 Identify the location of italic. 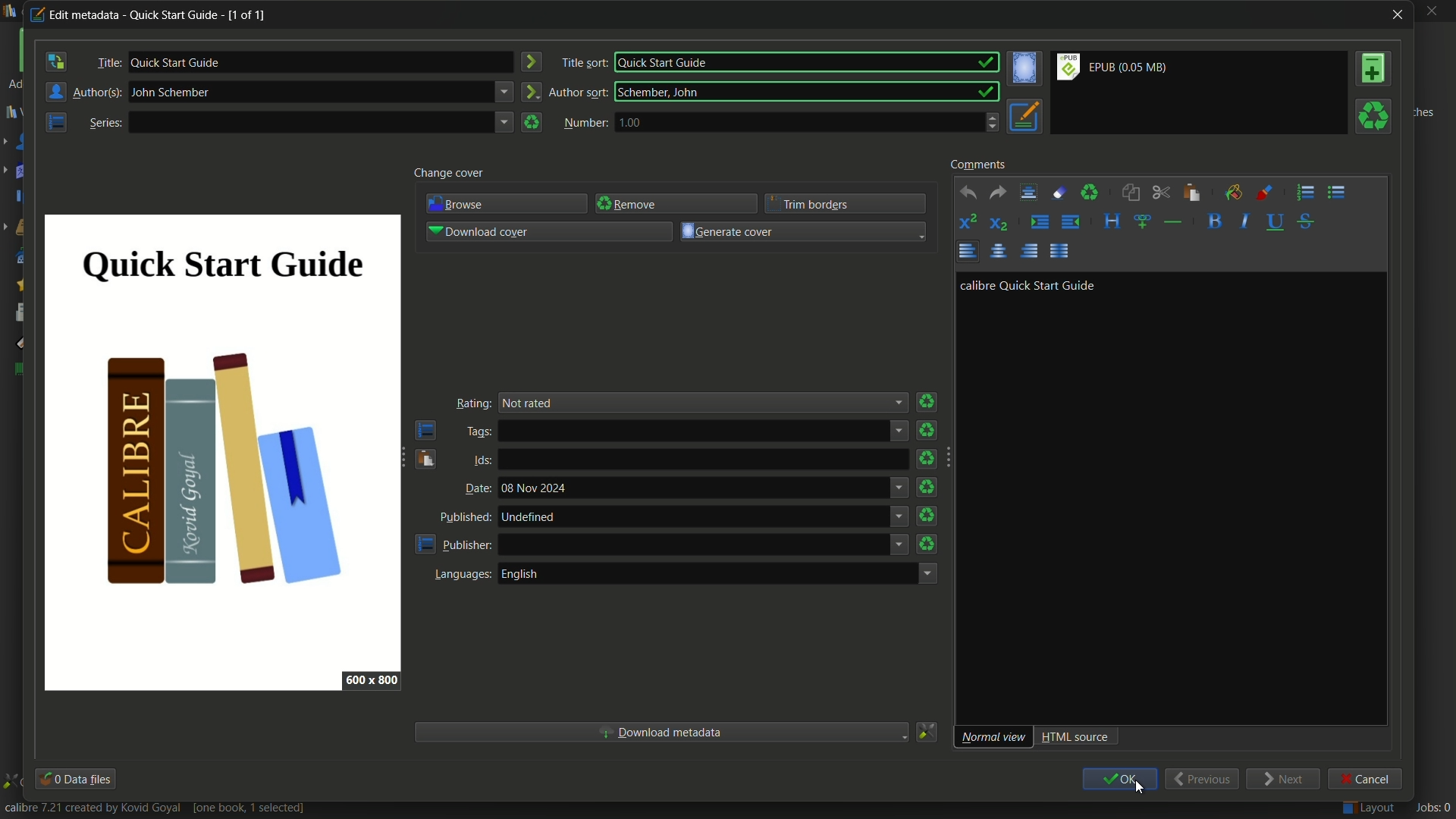
(1247, 222).